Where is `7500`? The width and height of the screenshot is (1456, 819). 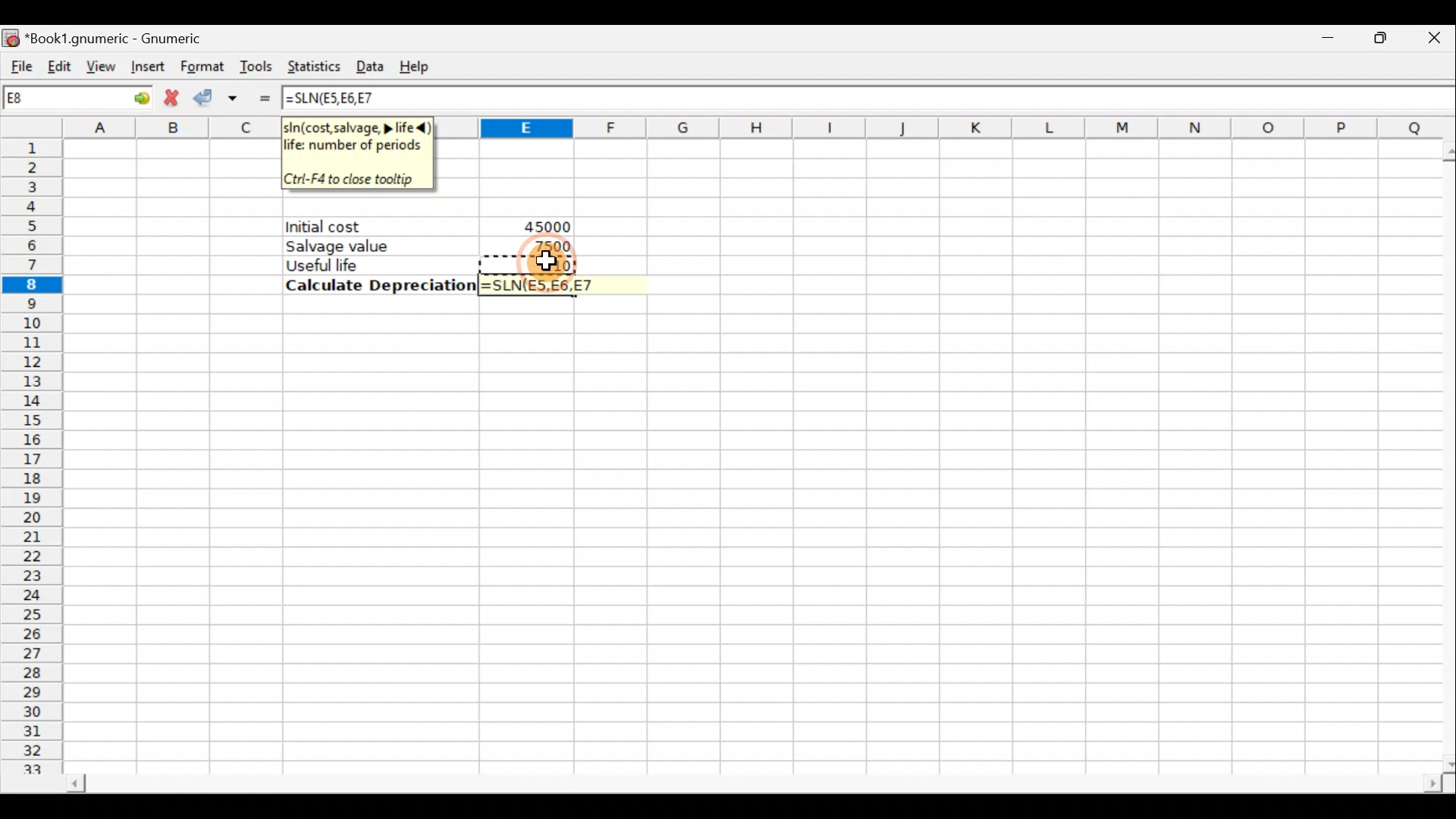
7500 is located at coordinates (545, 246).